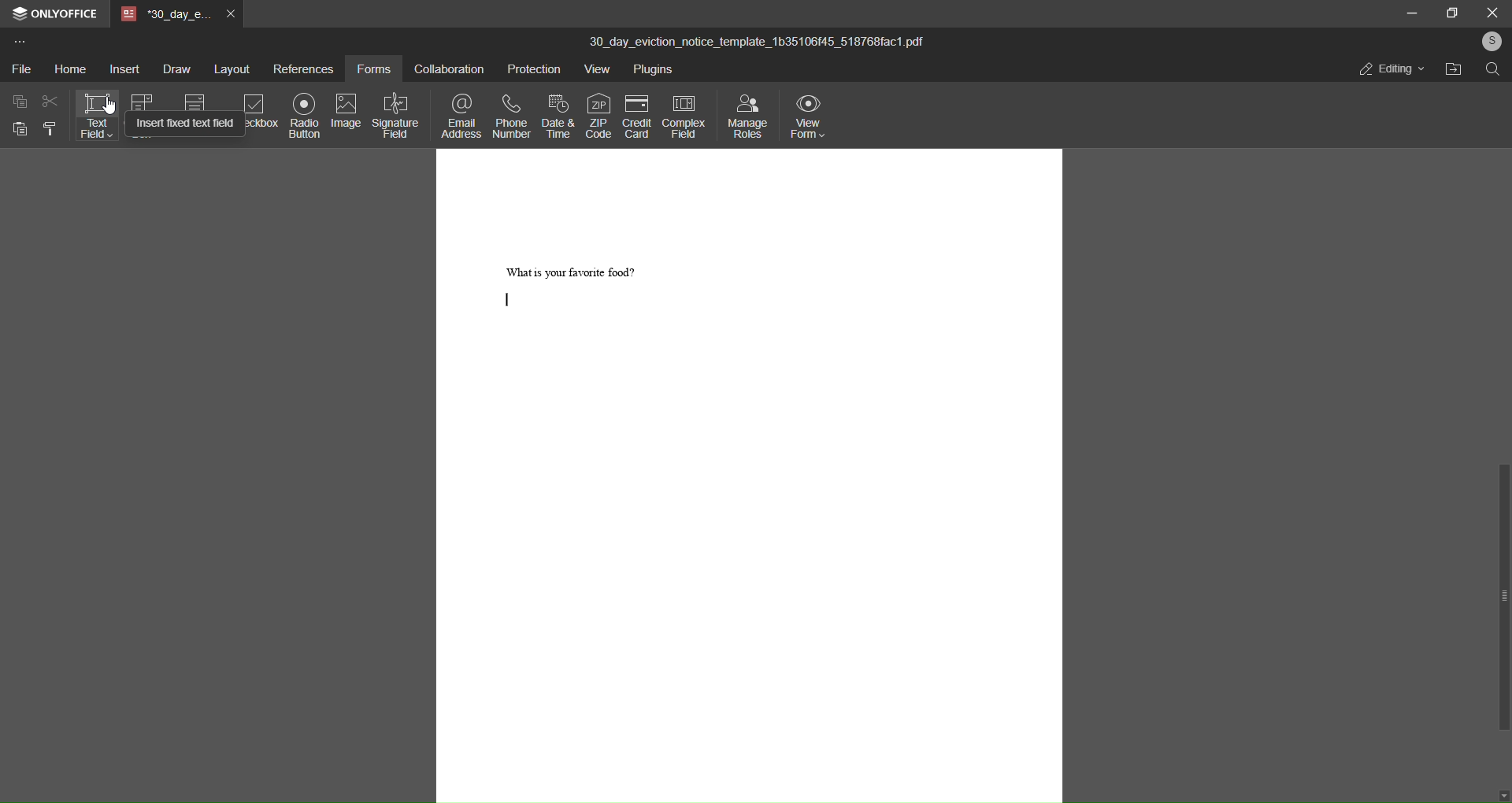 Image resolution: width=1512 pixels, height=803 pixels. What do you see at coordinates (445, 71) in the screenshot?
I see `collaboration` at bounding box center [445, 71].